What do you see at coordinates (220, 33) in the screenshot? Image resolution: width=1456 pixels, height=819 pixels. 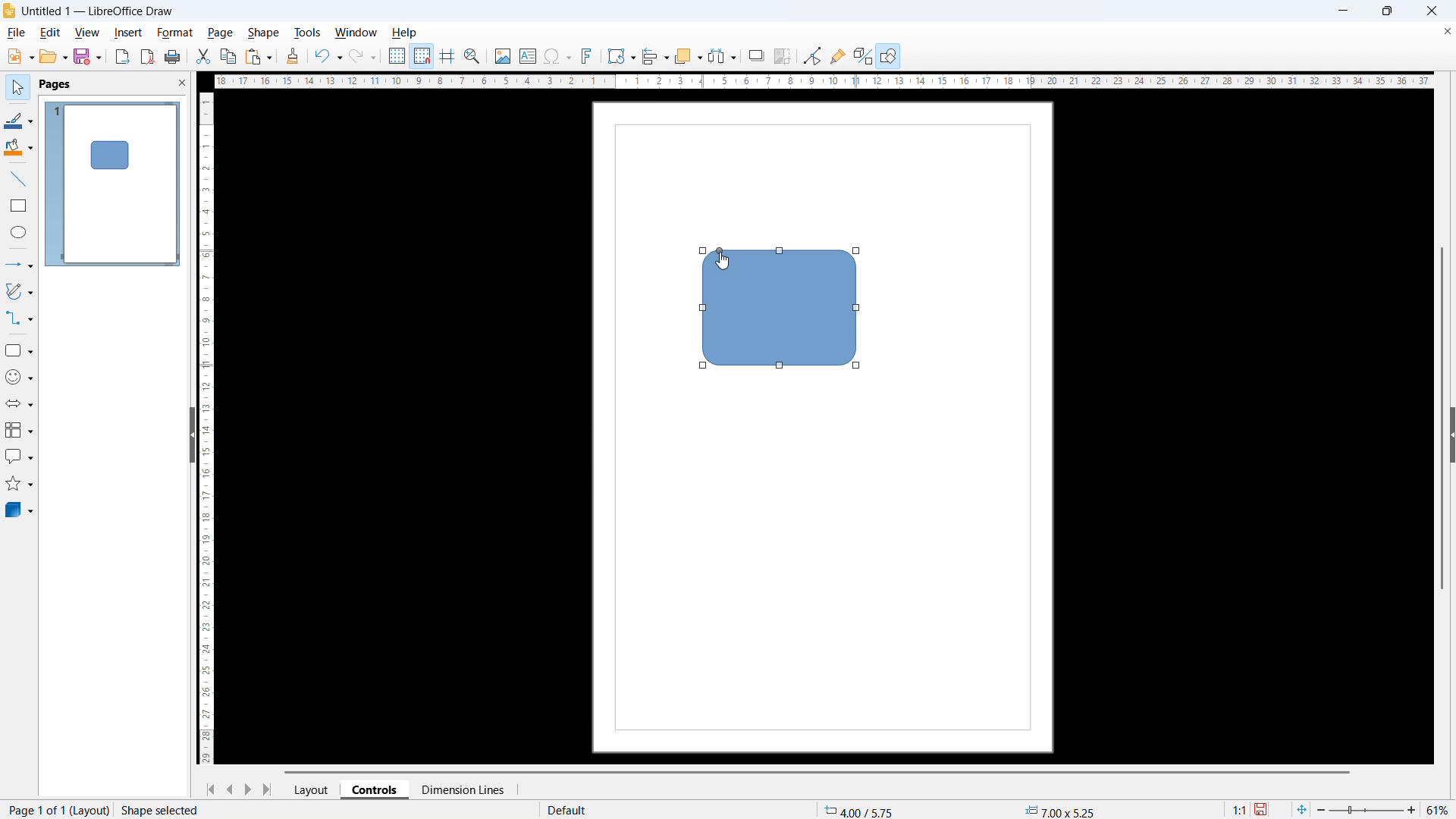 I see `Page ` at bounding box center [220, 33].